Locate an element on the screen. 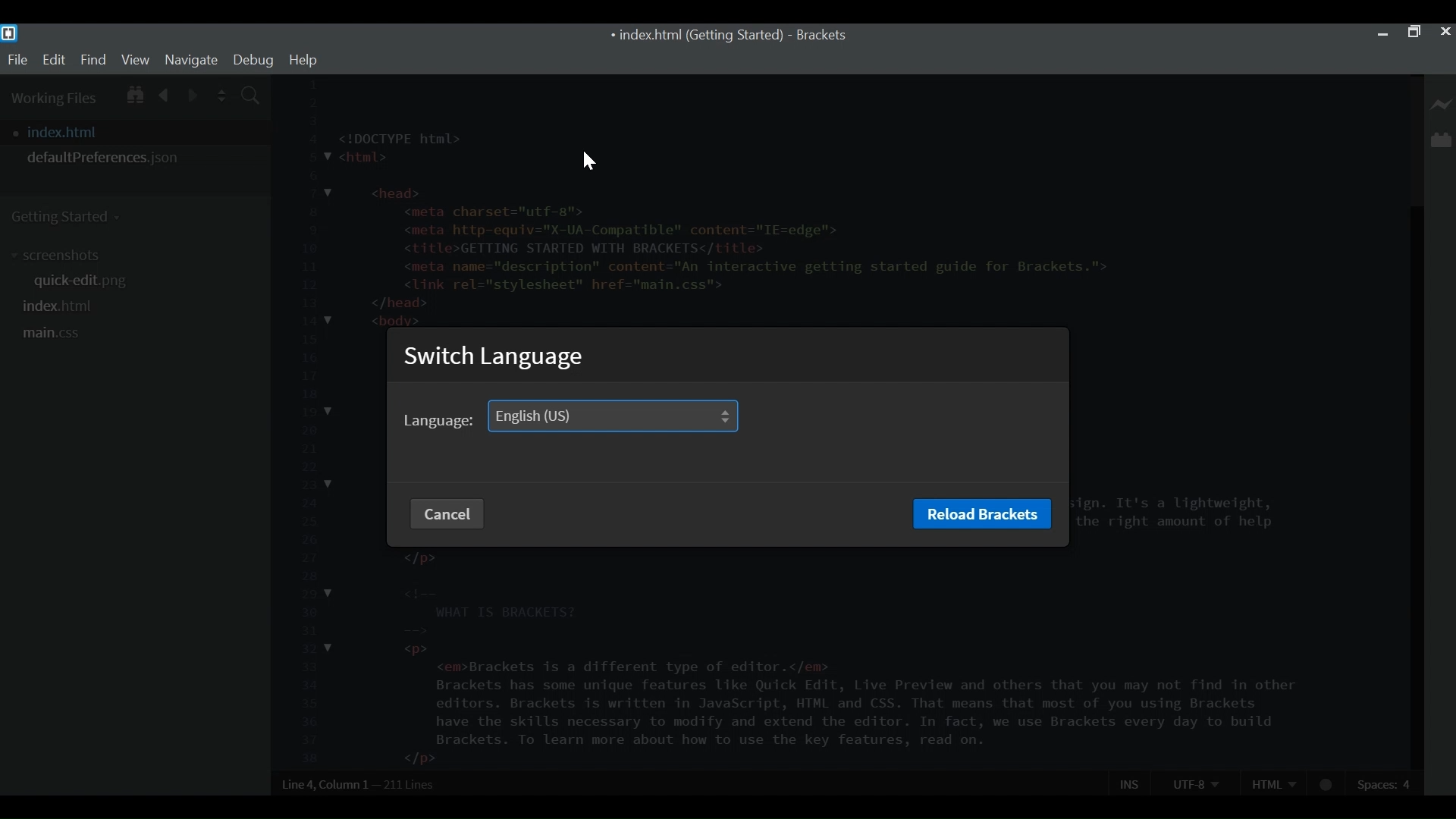  Spaces: 4 is located at coordinates (1386, 783).